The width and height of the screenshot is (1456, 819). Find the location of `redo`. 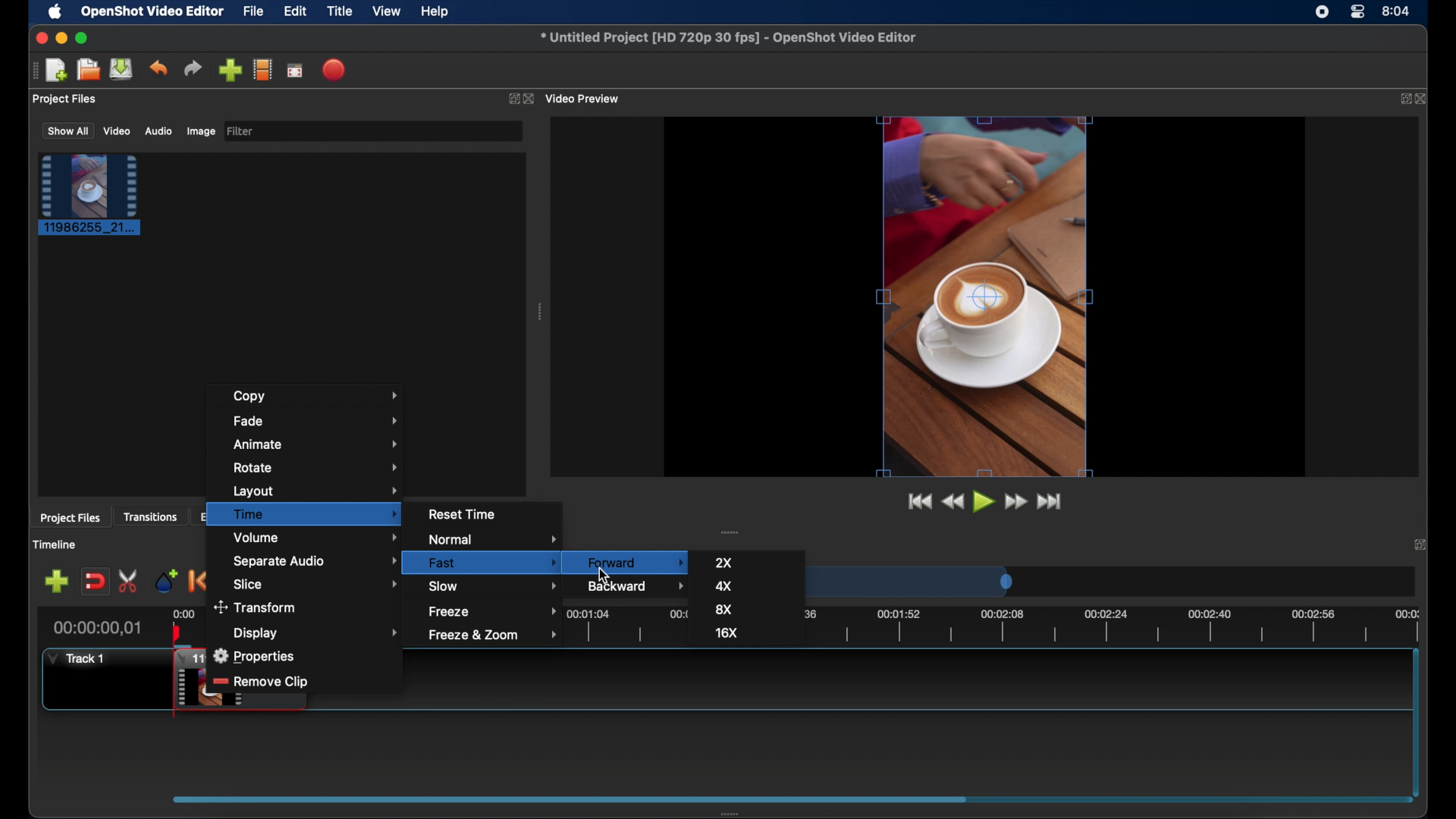

redo is located at coordinates (193, 67).